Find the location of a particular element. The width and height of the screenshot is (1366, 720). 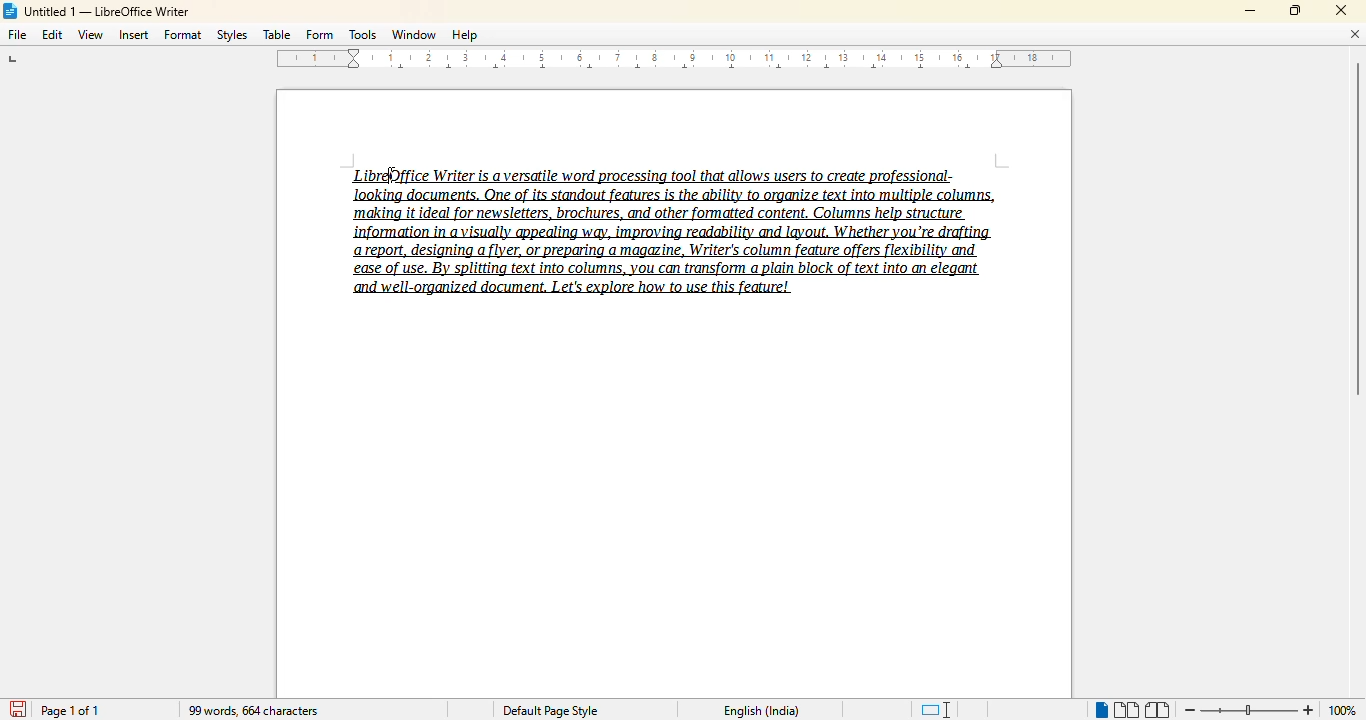

maximize is located at coordinates (1294, 10).